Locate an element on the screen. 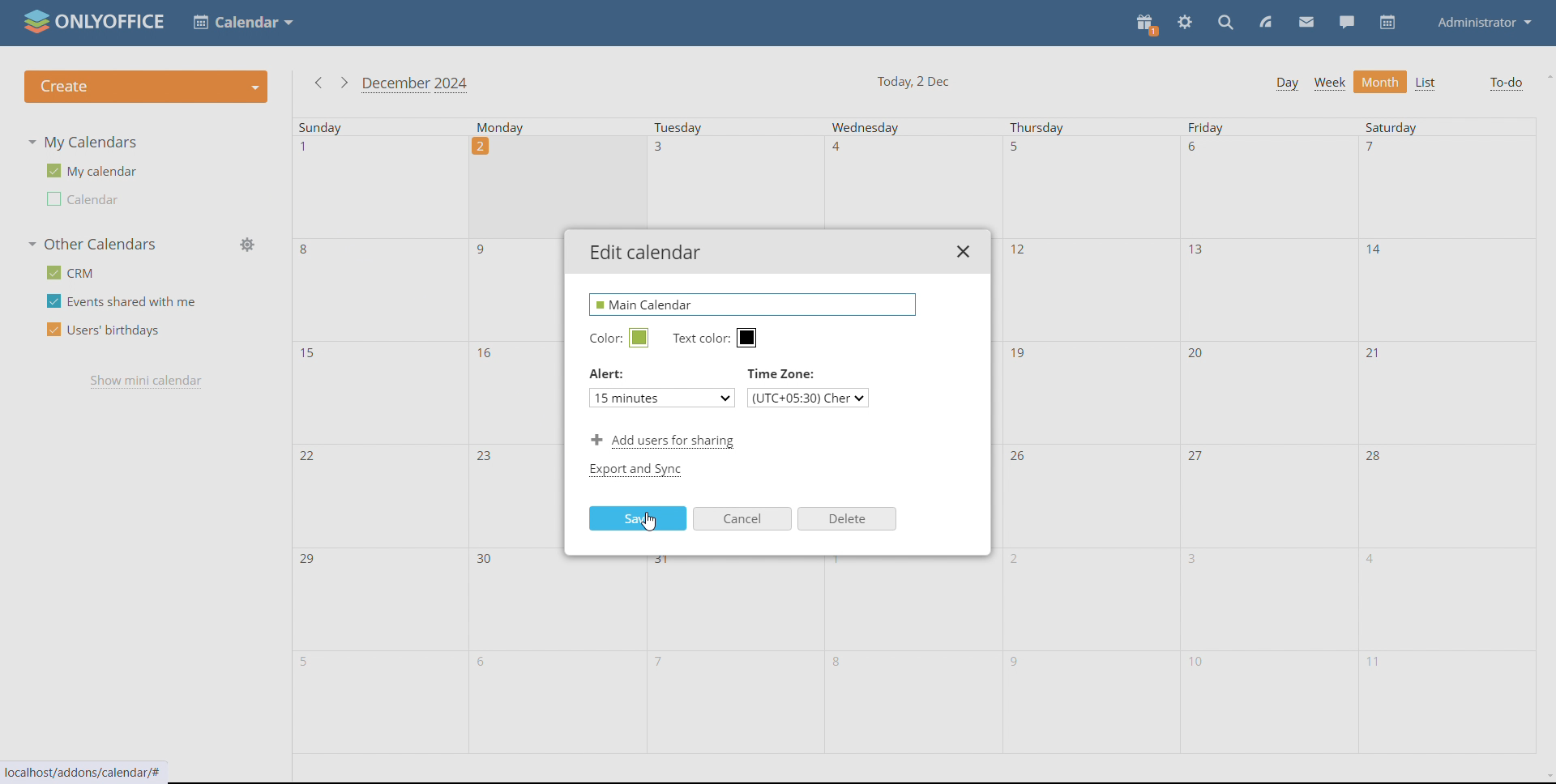 This screenshot has width=1556, height=784. current month is located at coordinates (416, 84).